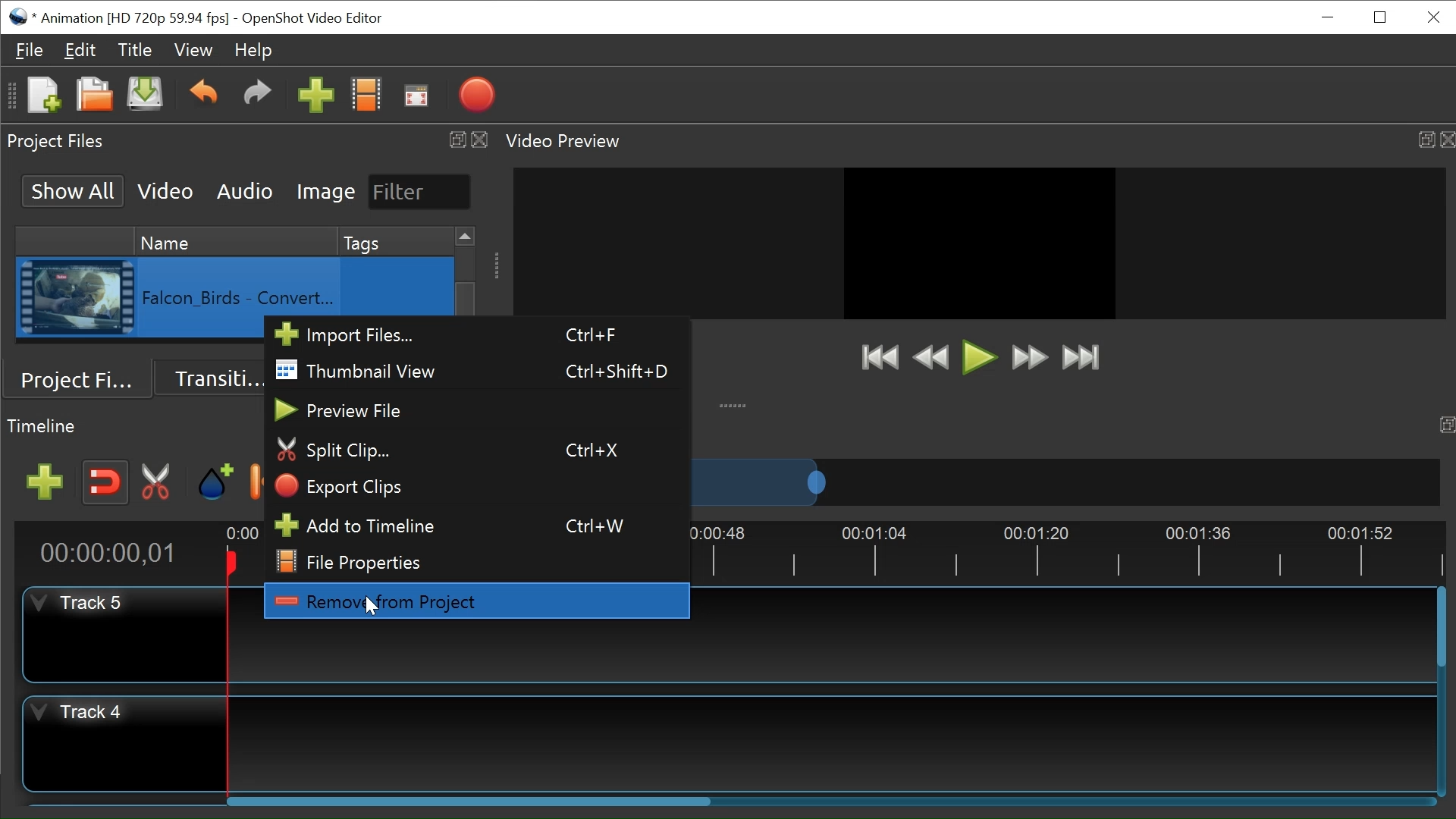  Describe the element at coordinates (44, 426) in the screenshot. I see `Timeline Panel` at that location.